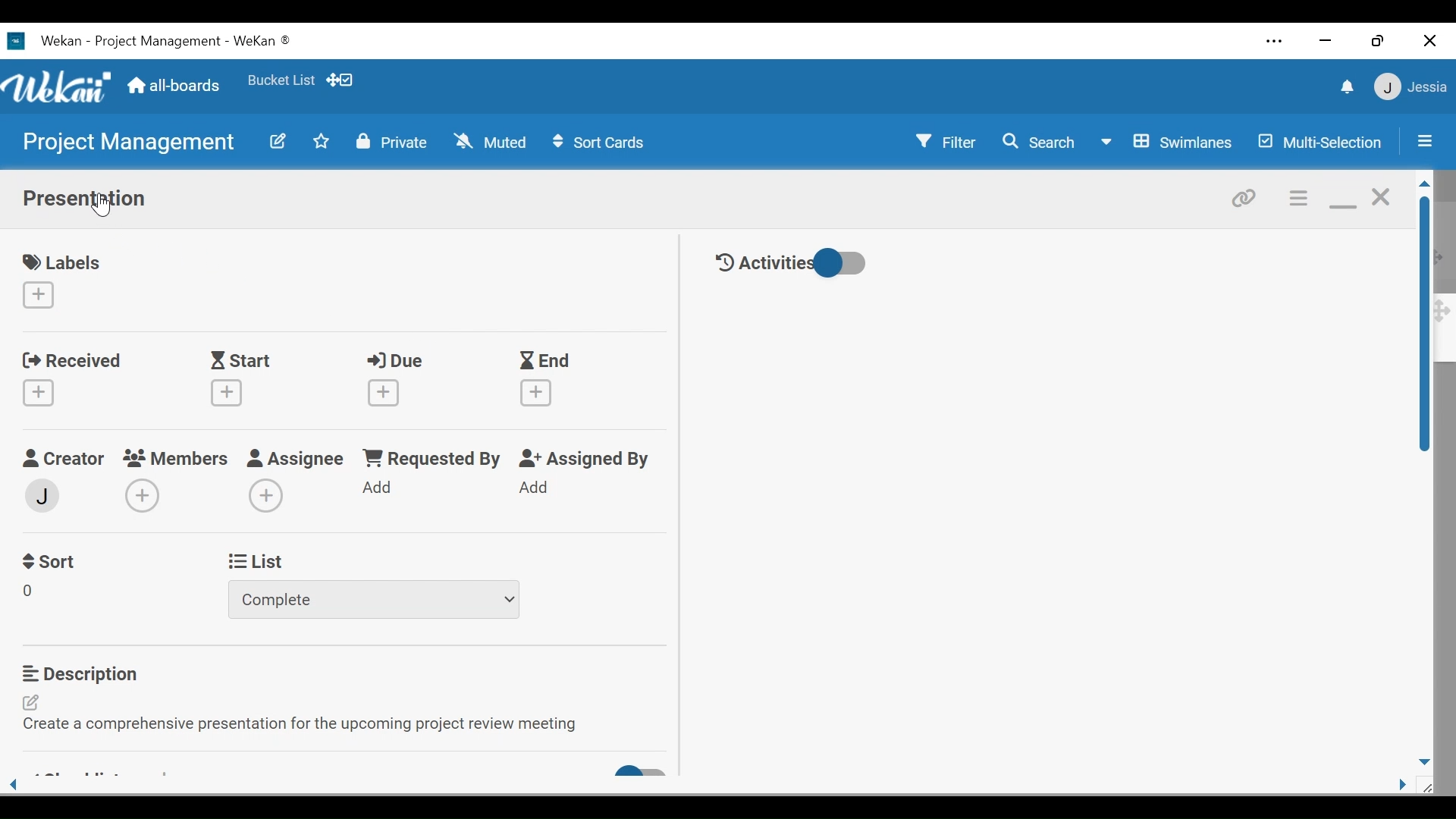  What do you see at coordinates (1411, 86) in the screenshot?
I see `User Member` at bounding box center [1411, 86].